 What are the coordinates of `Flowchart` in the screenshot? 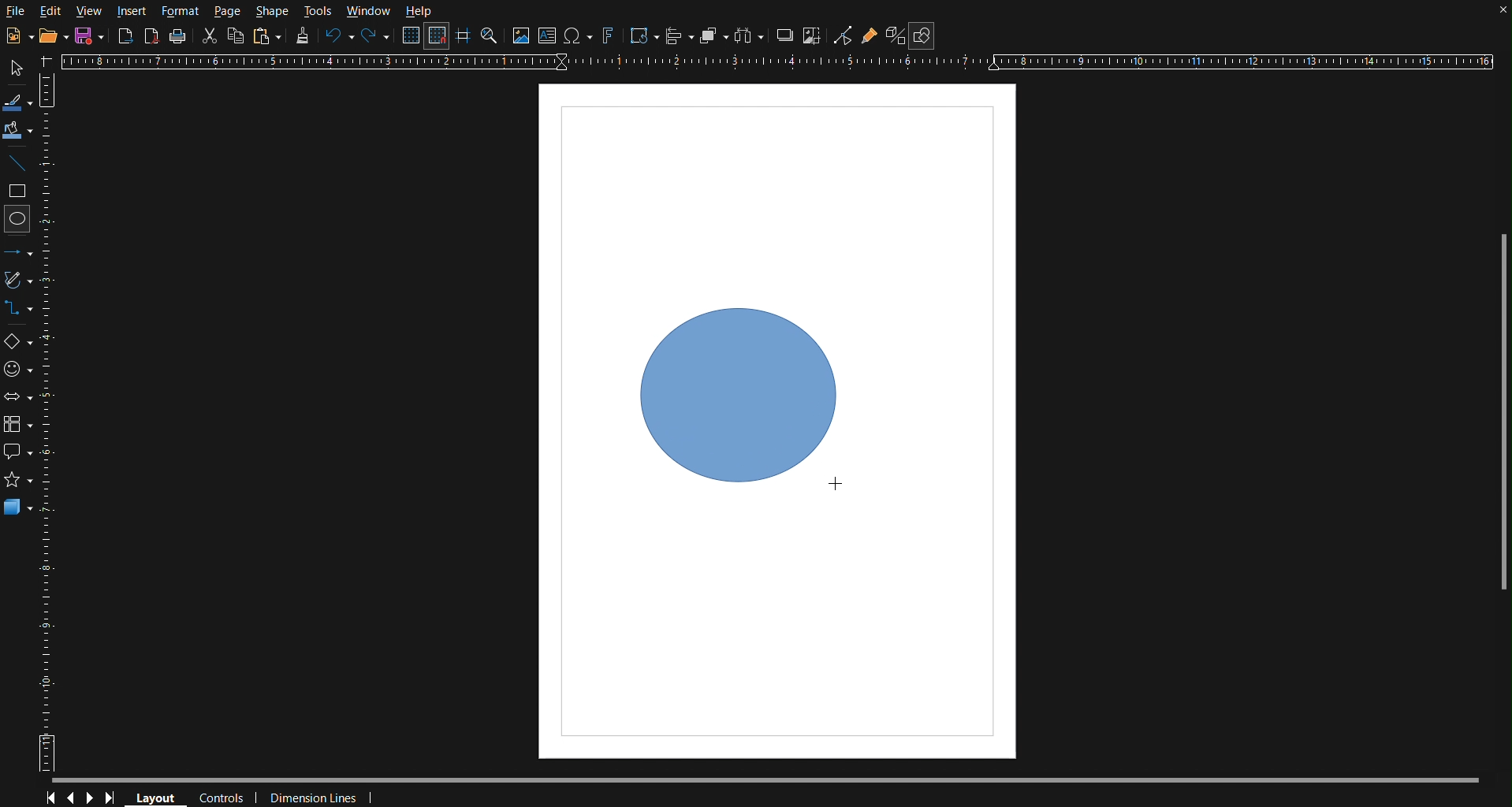 It's located at (18, 426).